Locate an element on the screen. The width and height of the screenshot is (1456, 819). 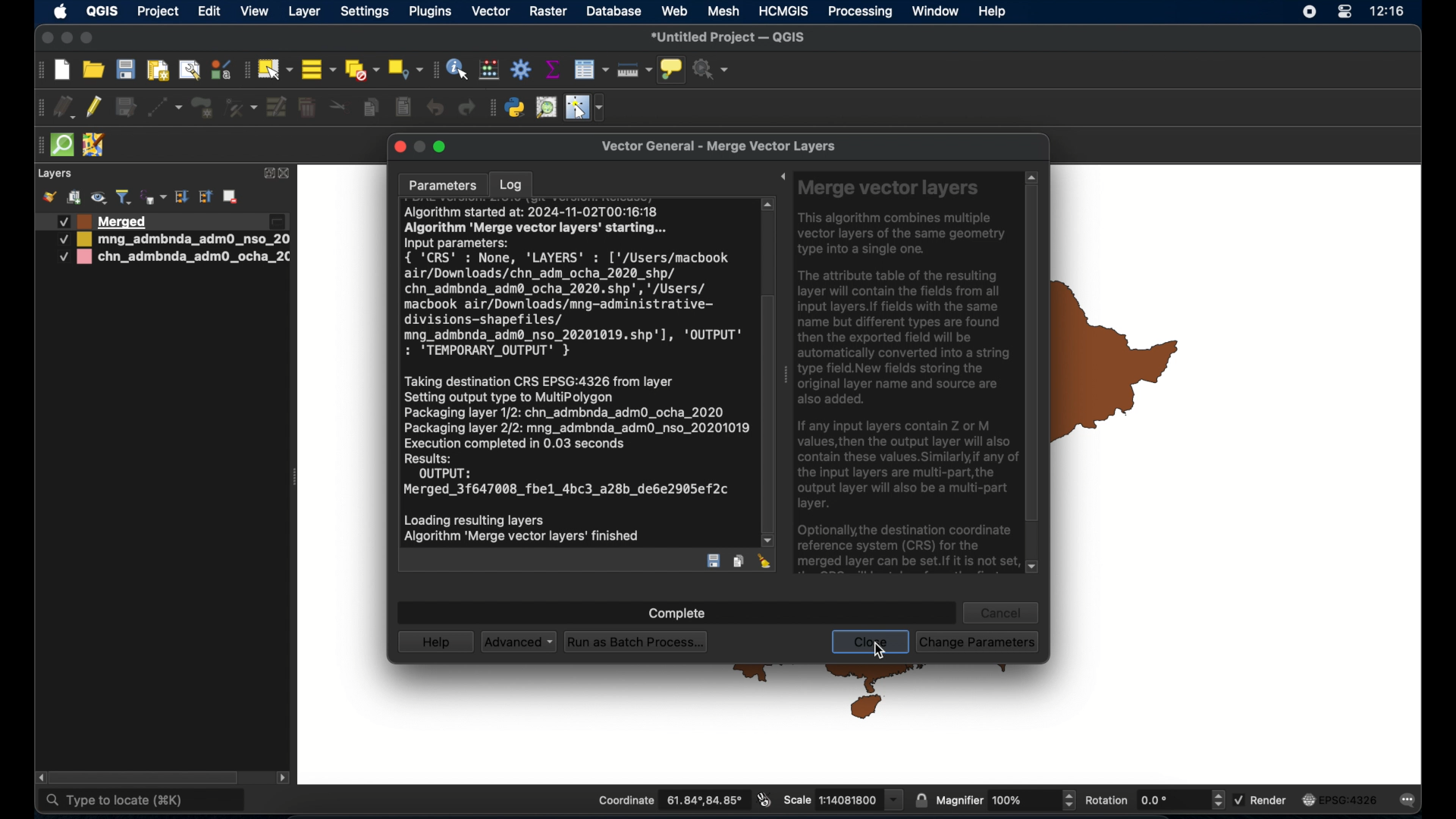
layer is located at coordinates (306, 11).